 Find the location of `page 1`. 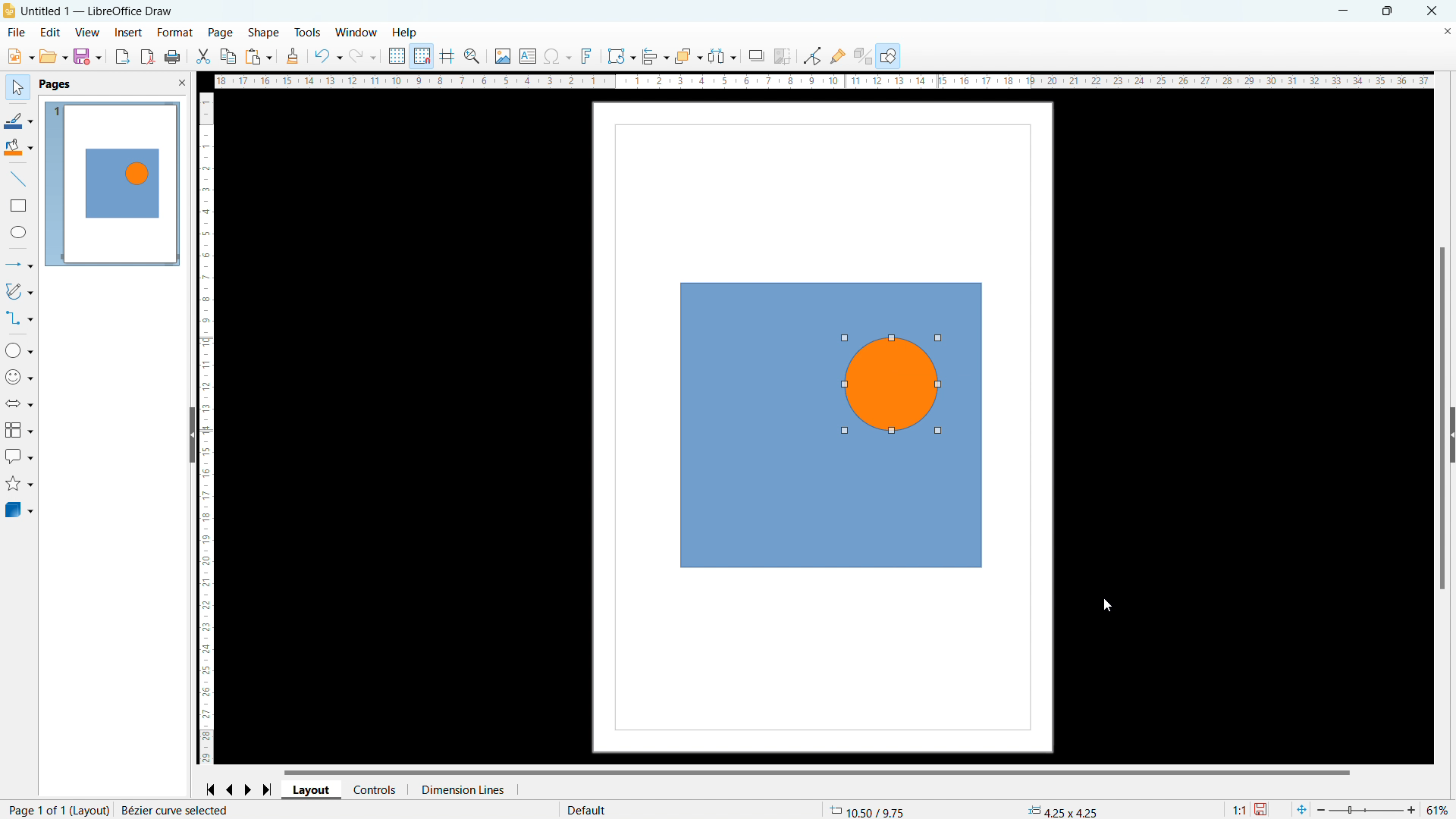

page 1 is located at coordinates (112, 184).